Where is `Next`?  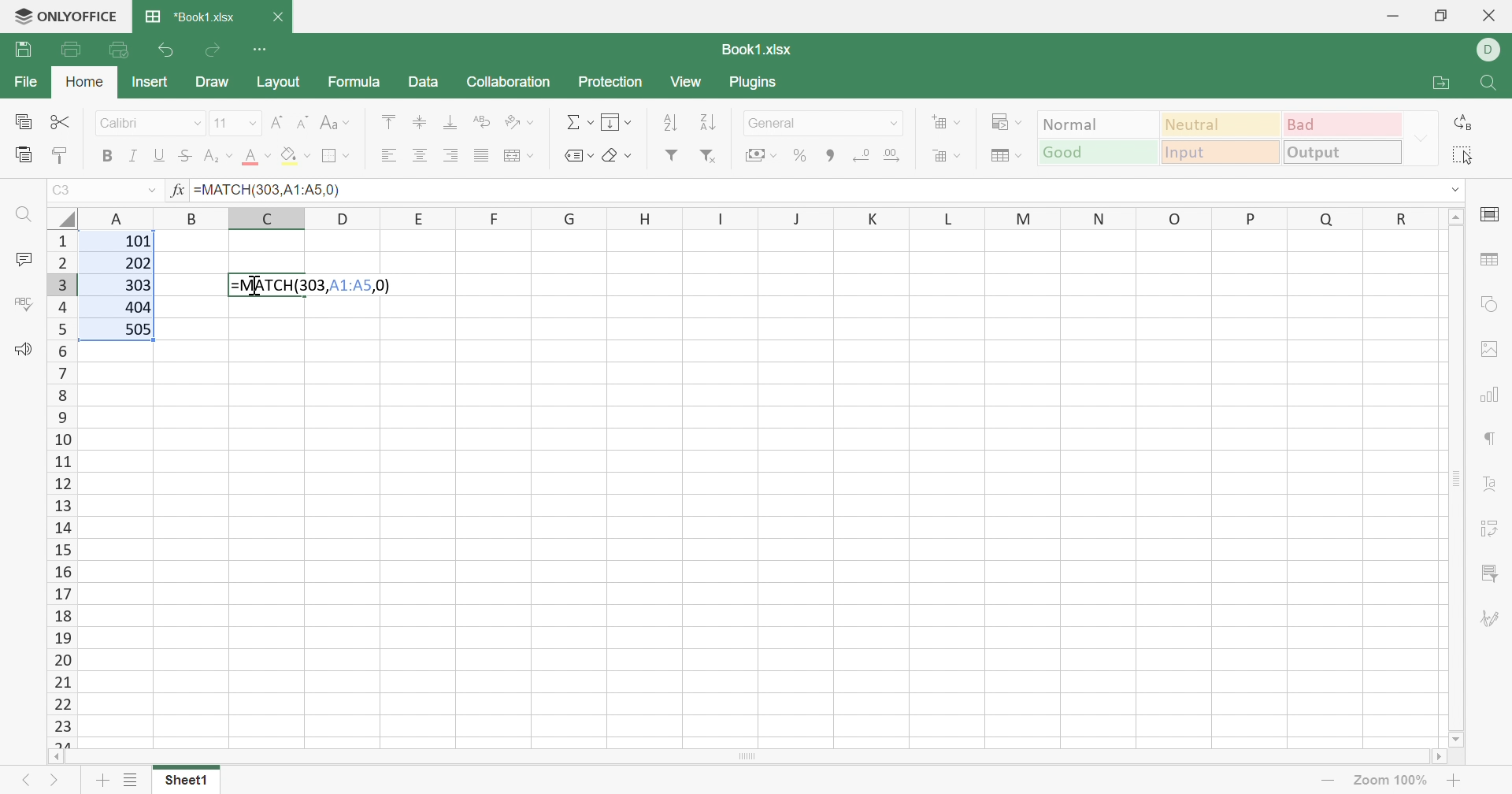
Next is located at coordinates (55, 783).